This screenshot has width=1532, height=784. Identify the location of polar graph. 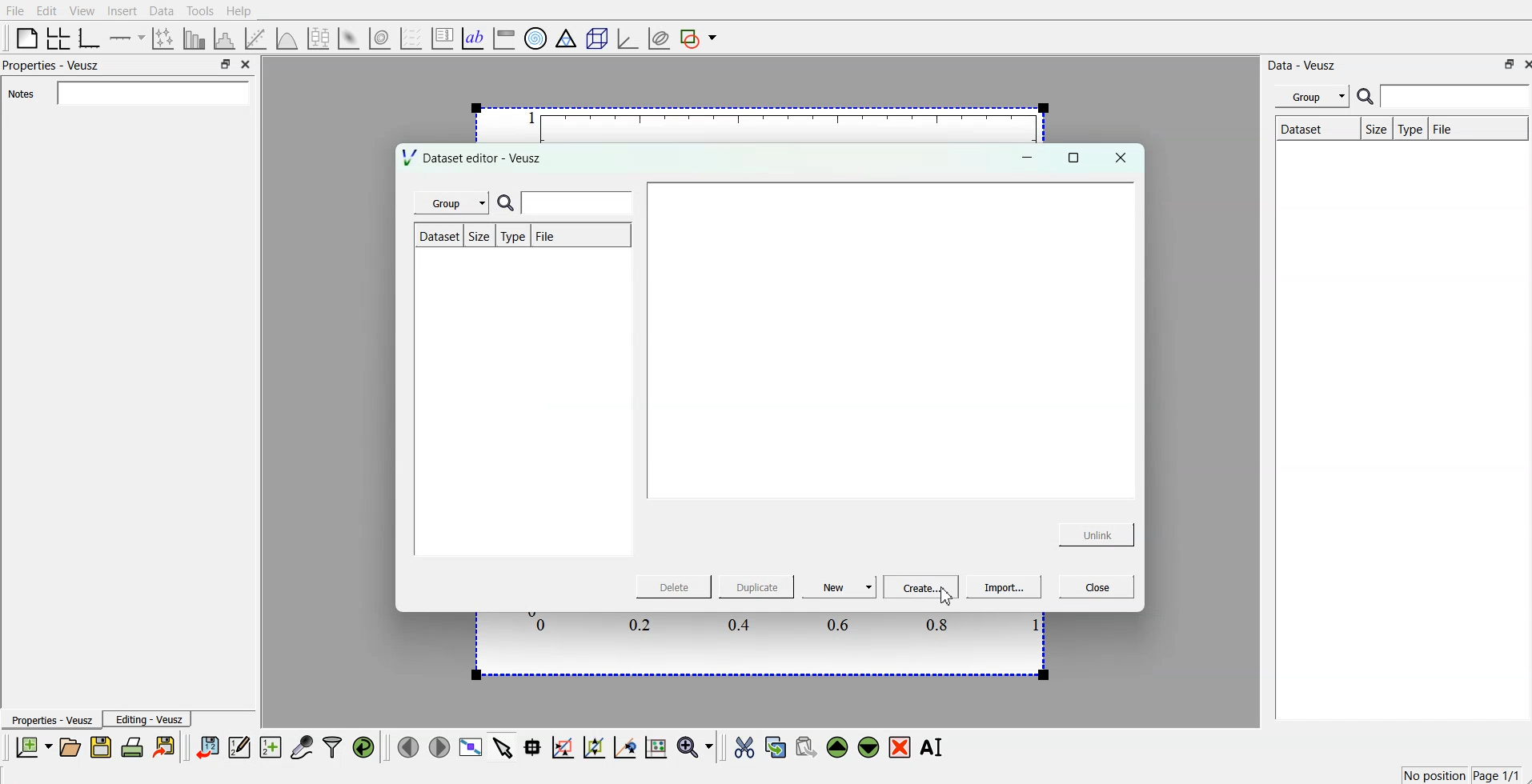
(536, 37).